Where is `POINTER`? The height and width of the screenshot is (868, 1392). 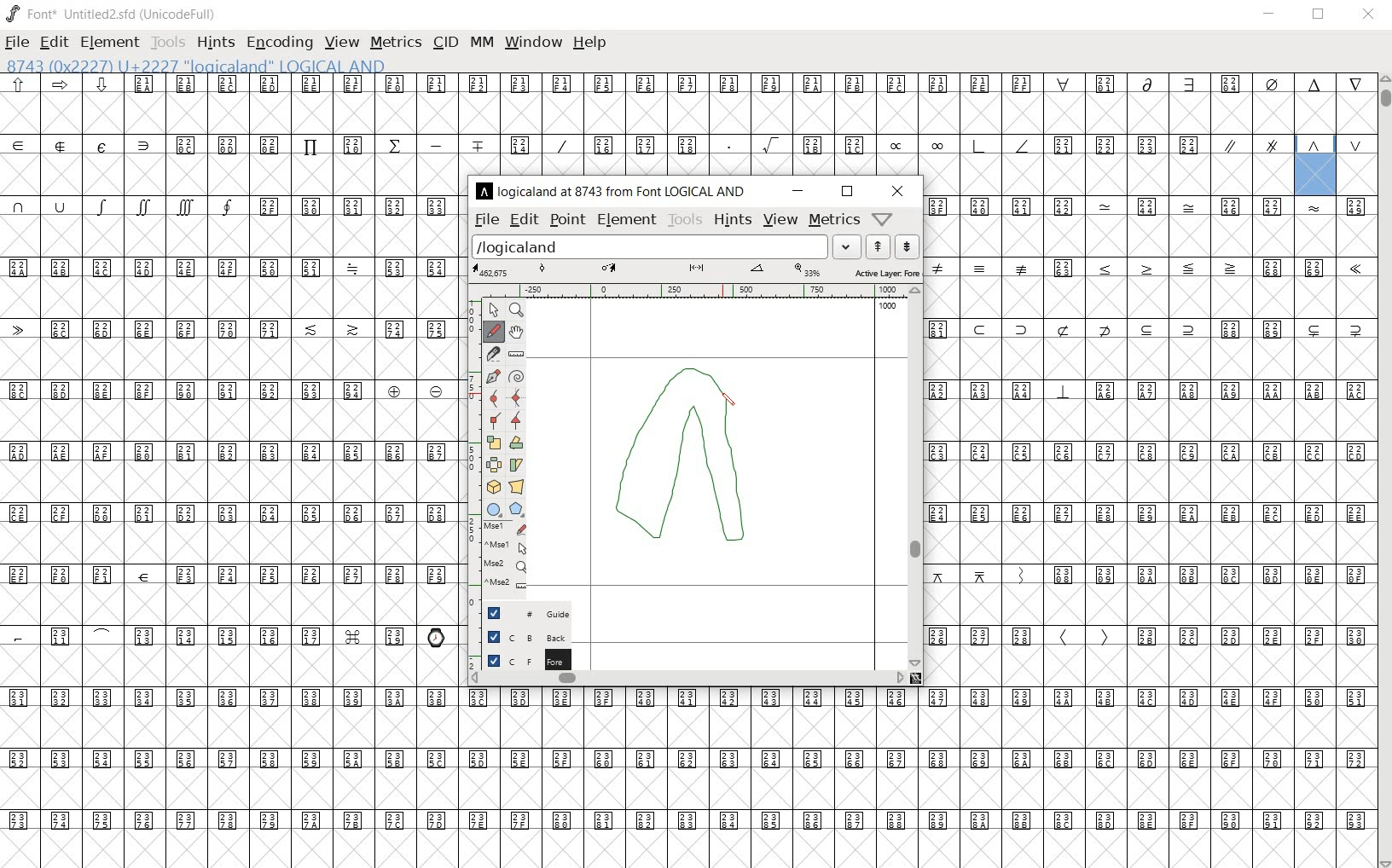
POINTER is located at coordinates (495, 311).